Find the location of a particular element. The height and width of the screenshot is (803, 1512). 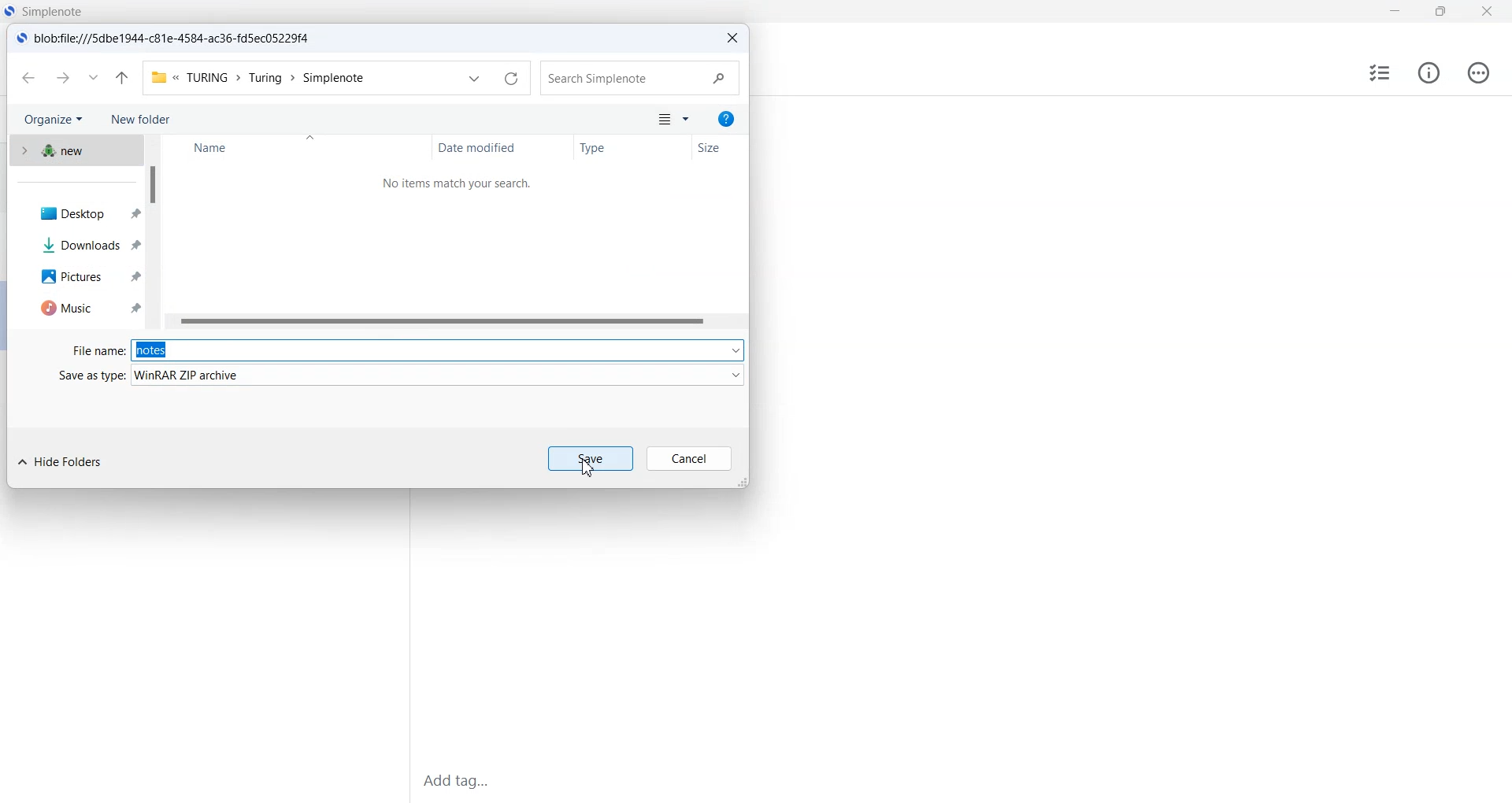

Forward is located at coordinates (64, 78).